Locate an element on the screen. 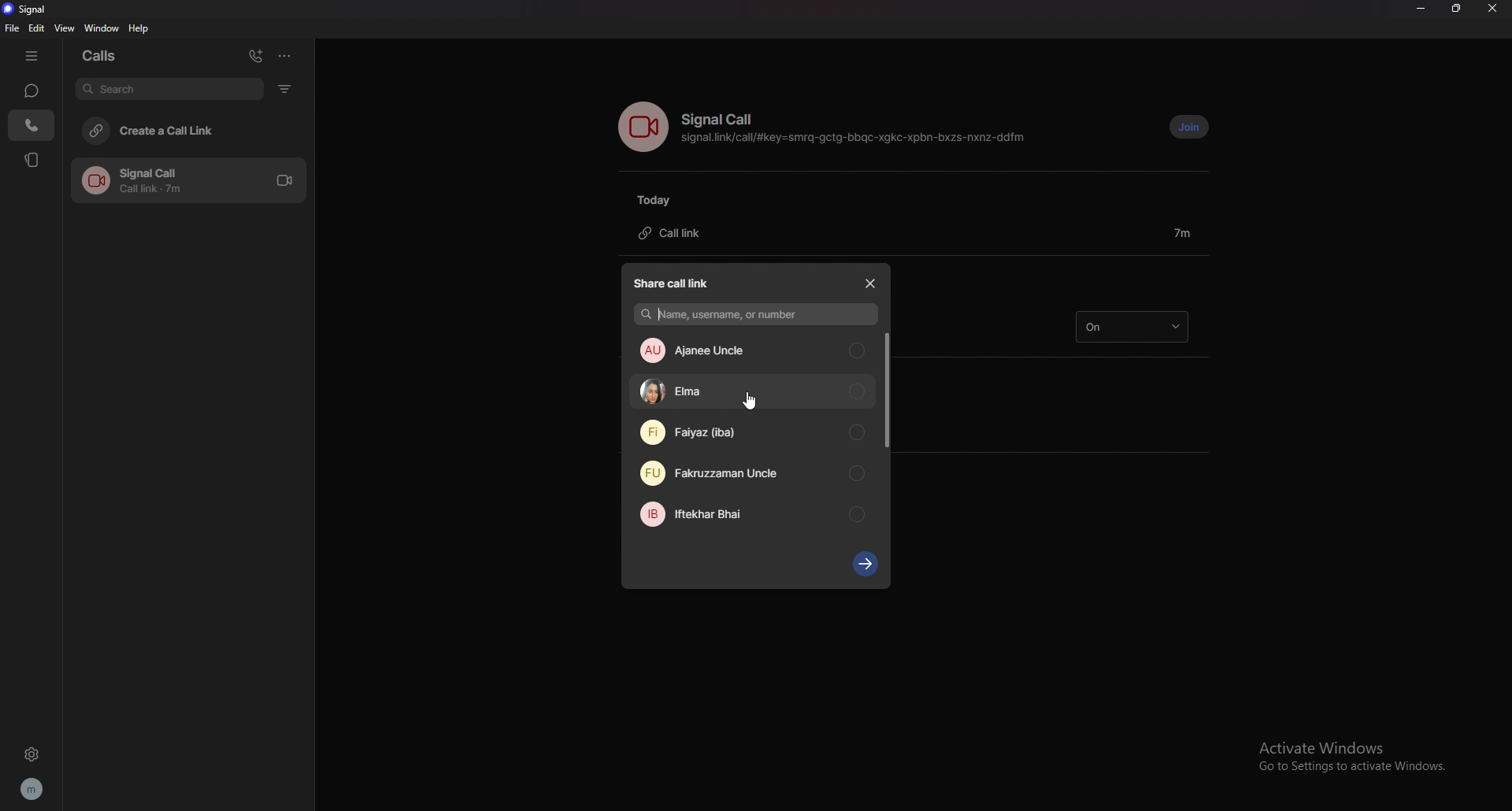 This screenshot has height=811, width=1512. window is located at coordinates (102, 28).